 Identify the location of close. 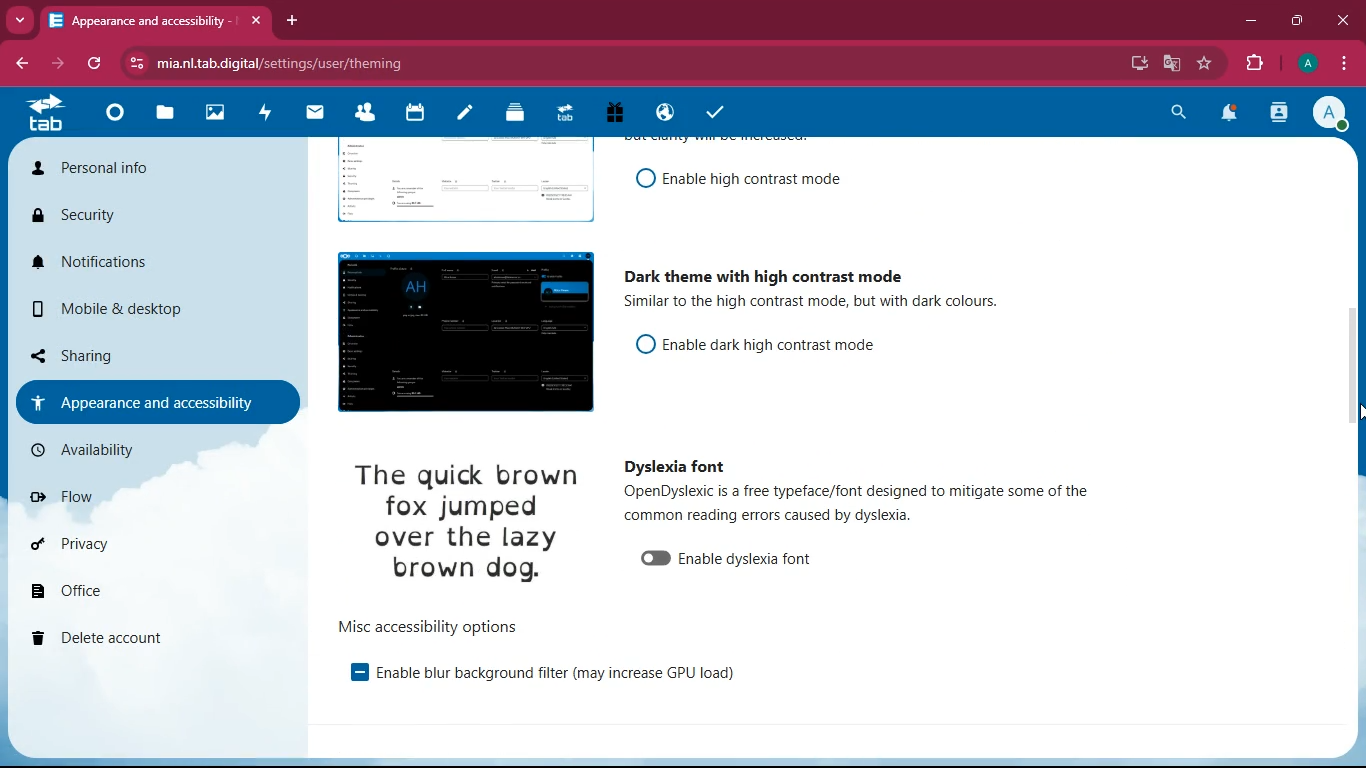
(258, 21).